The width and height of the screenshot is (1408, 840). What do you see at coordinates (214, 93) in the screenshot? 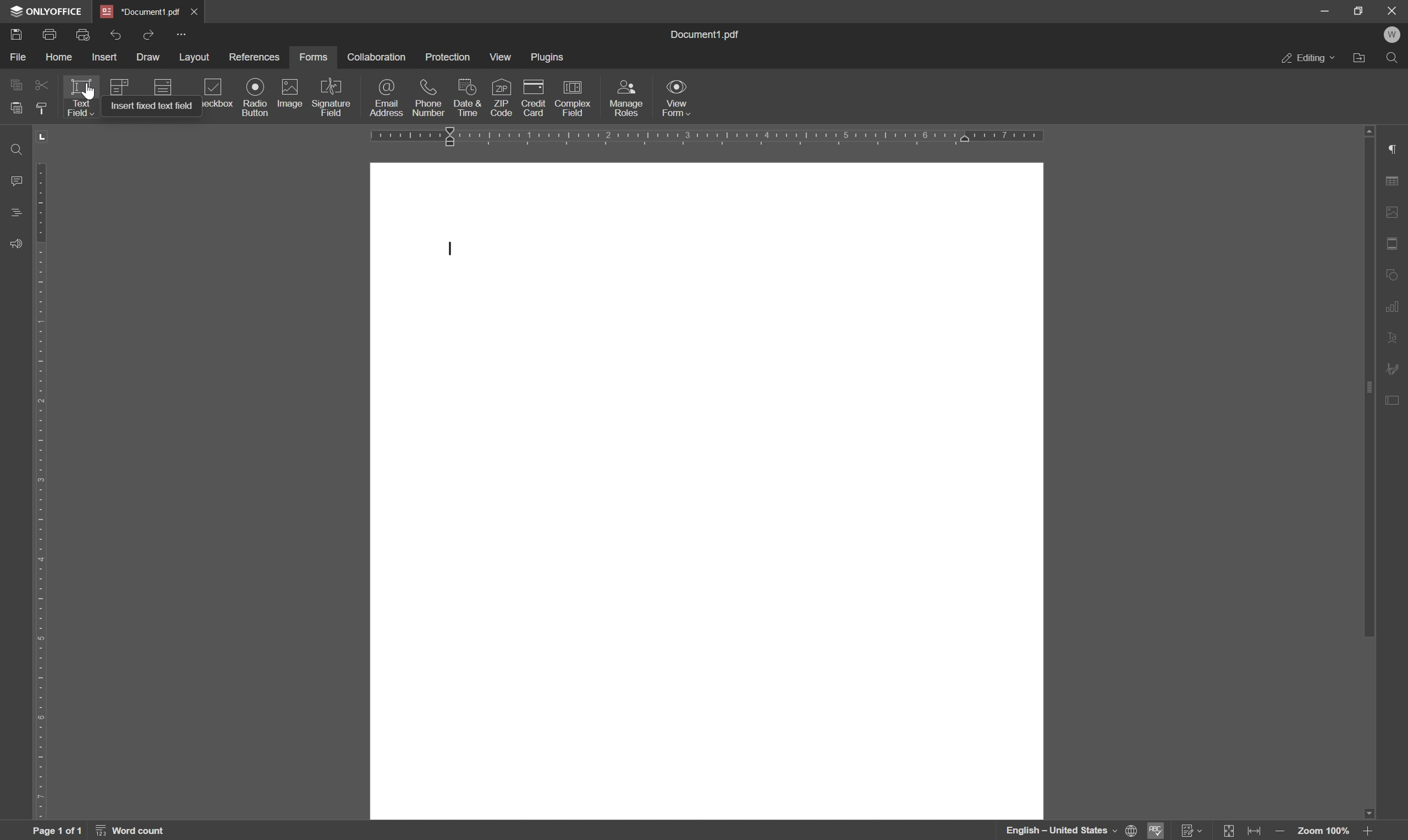
I see `checkbox` at bounding box center [214, 93].